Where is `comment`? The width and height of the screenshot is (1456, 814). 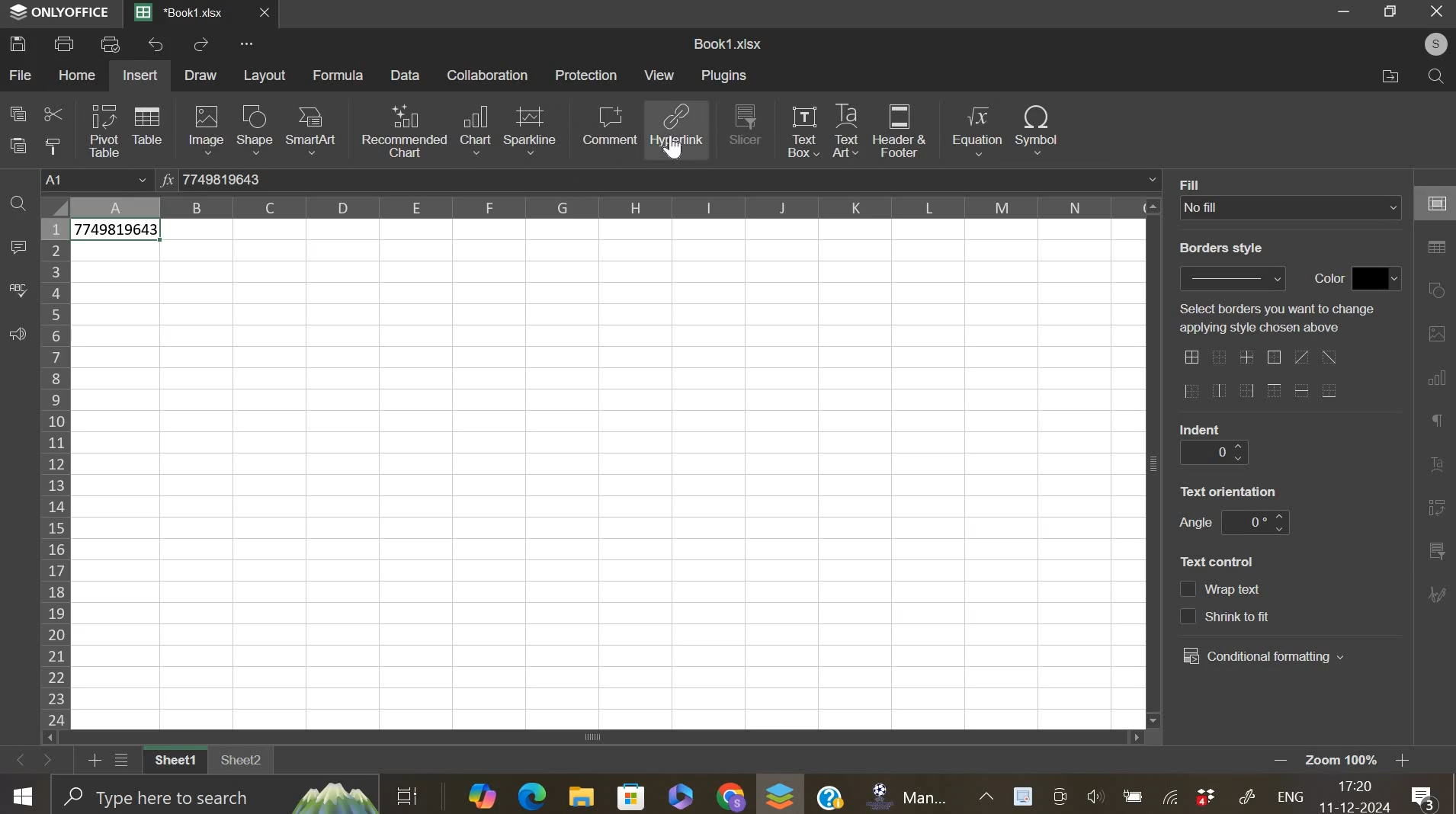
comment is located at coordinates (609, 125).